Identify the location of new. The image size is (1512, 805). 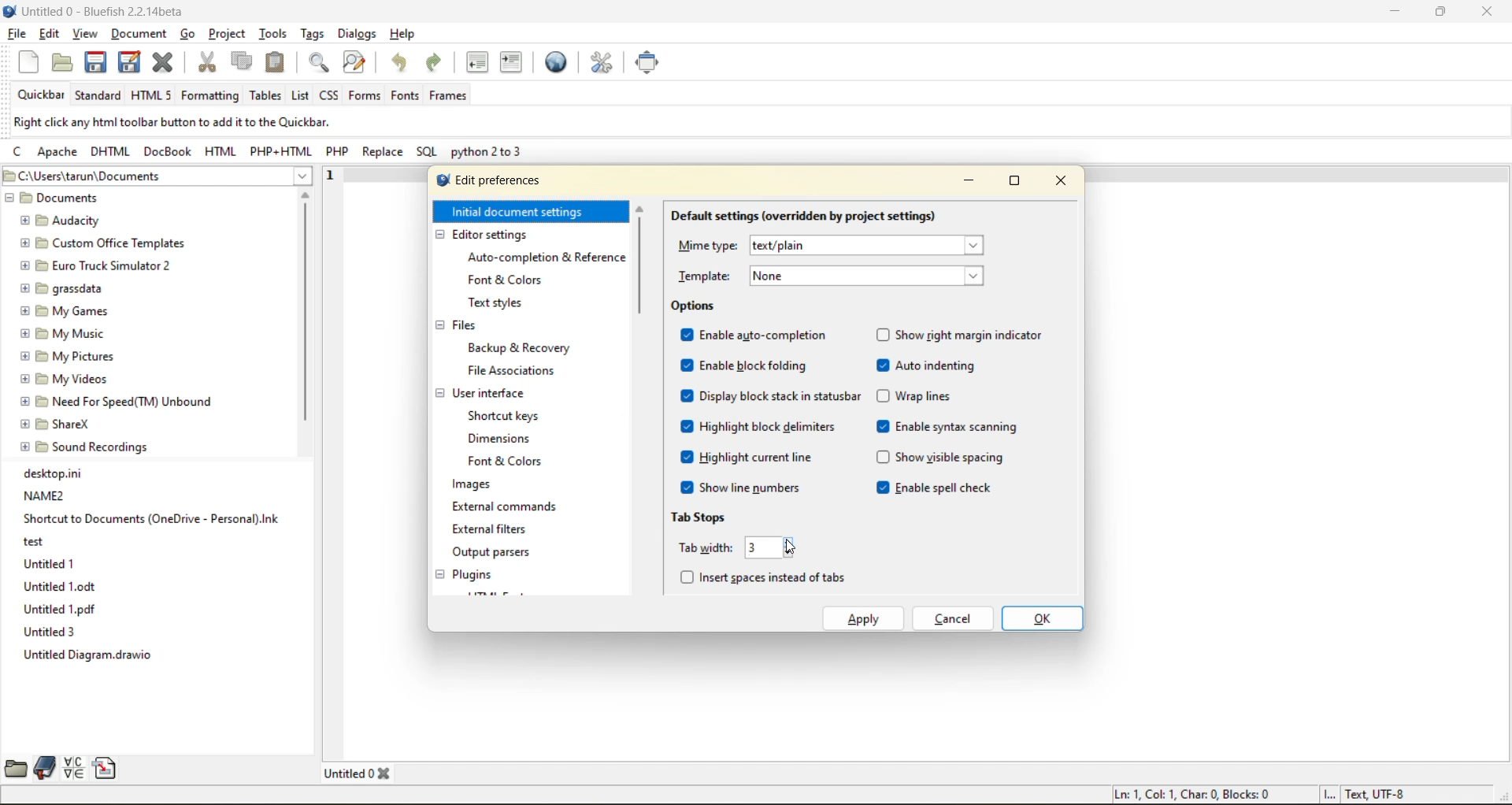
(29, 63).